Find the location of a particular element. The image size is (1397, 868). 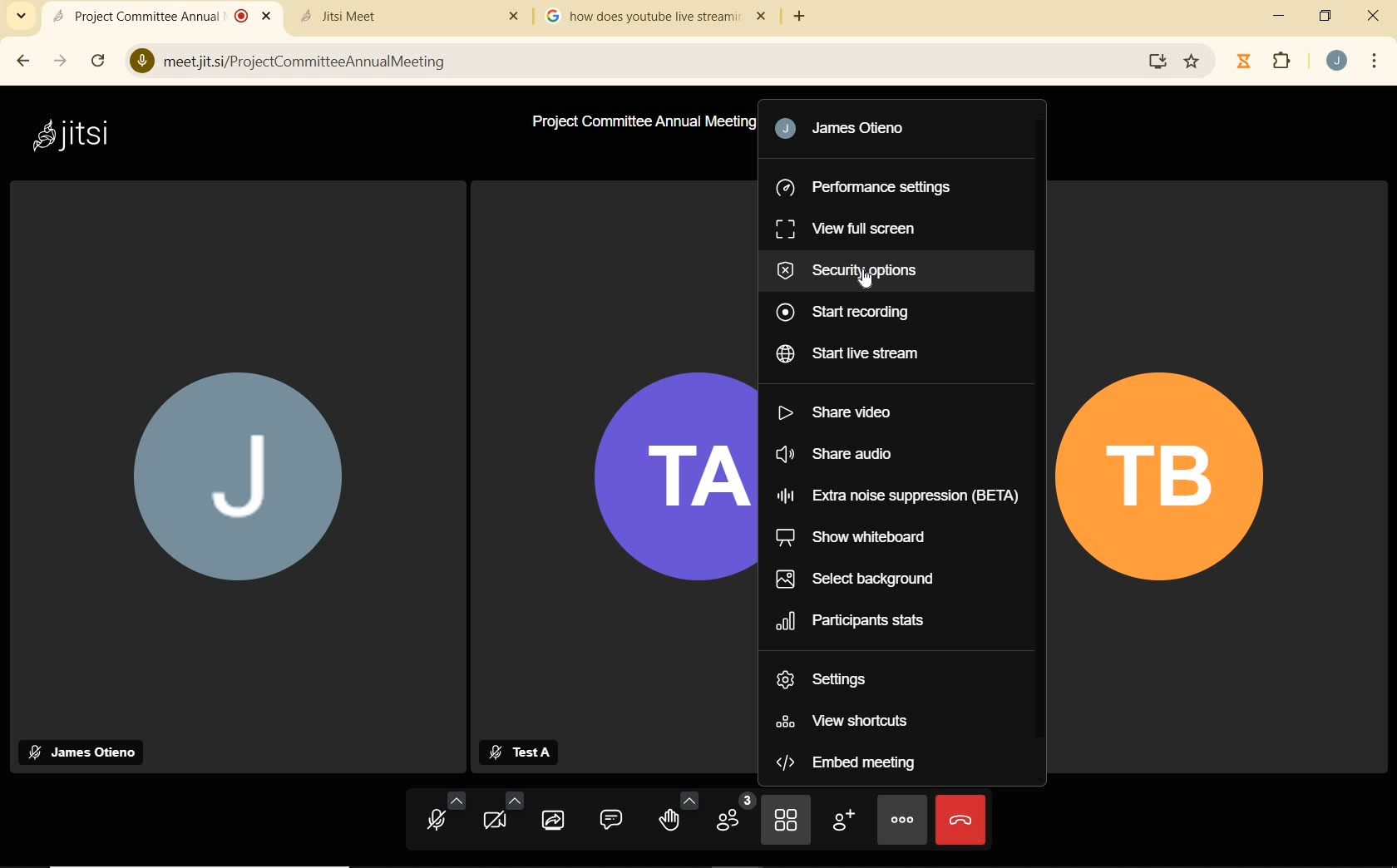

jitsi is located at coordinates (77, 136).